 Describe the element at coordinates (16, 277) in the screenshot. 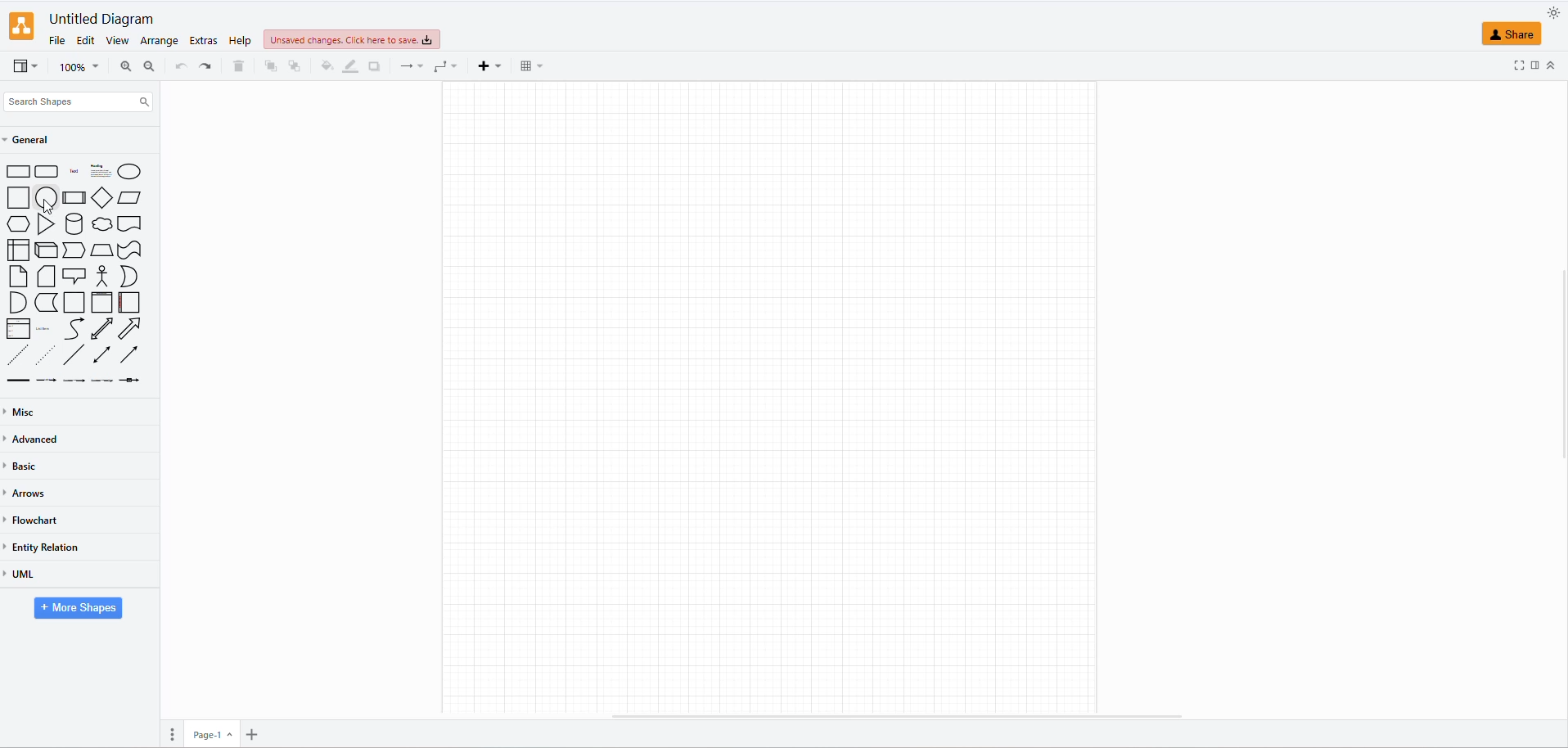

I see `NOTE` at that location.